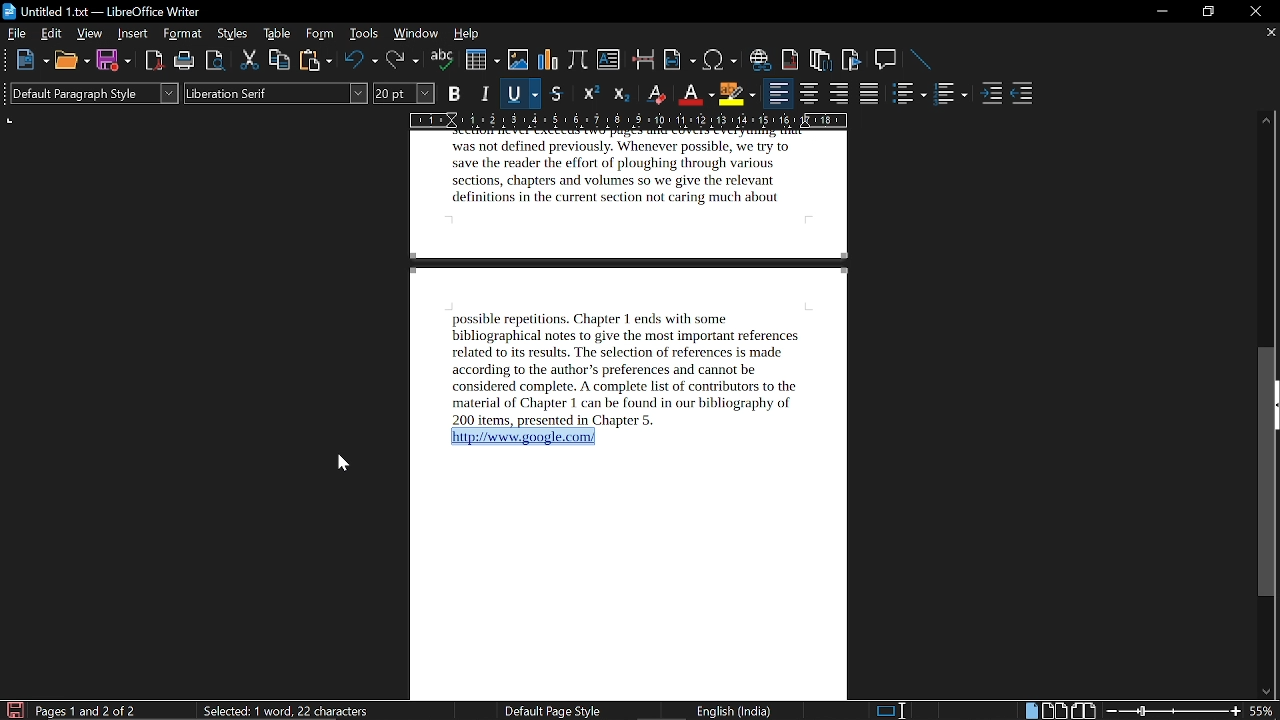 The height and width of the screenshot is (720, 1280). I want to click on export as pdf, so click(150, 62).